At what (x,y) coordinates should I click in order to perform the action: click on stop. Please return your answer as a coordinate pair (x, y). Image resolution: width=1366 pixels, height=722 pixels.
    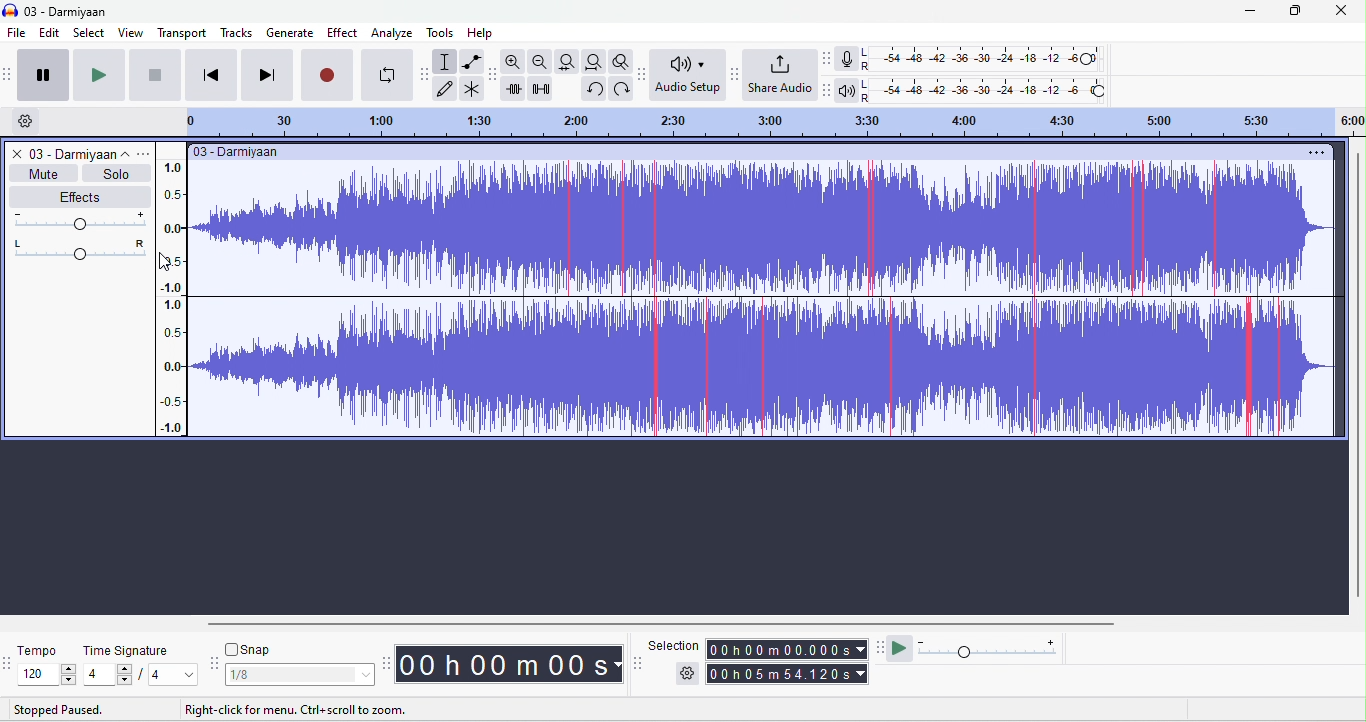
    Looking at the image, I should click on (155, 74).